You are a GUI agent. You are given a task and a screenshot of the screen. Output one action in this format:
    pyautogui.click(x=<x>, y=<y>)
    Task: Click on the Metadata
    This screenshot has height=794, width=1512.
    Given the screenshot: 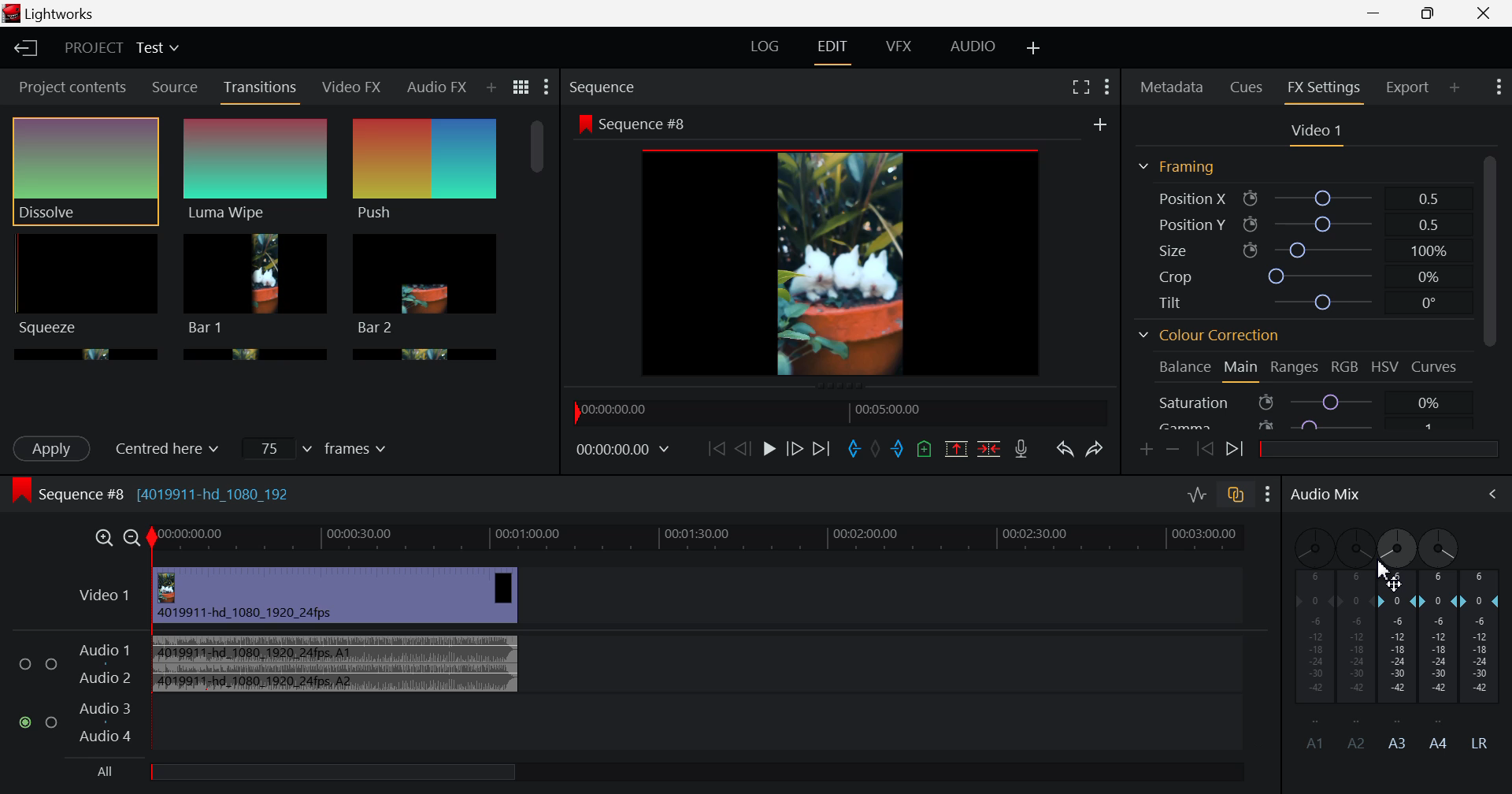 What is the action you would take?
    pyautogui.click(x=1172, y=87)
    